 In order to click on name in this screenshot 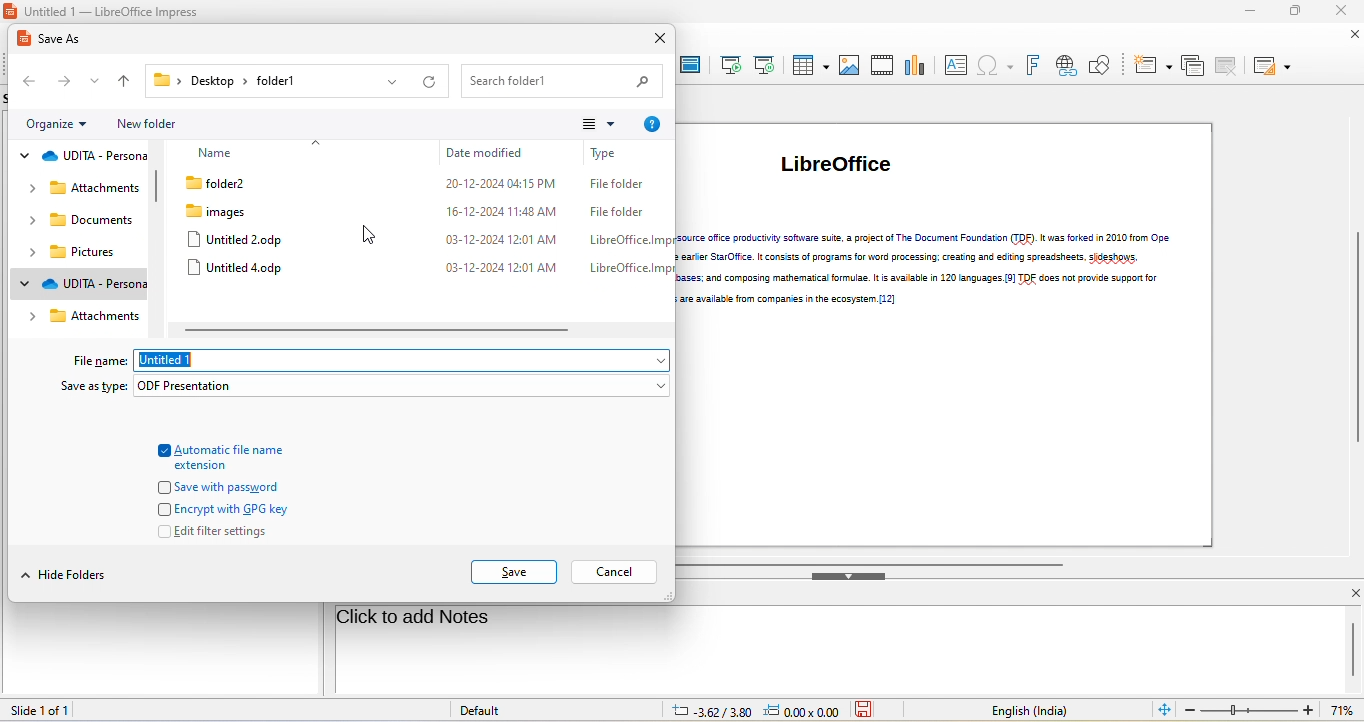, I will do `click(220, 153)`.